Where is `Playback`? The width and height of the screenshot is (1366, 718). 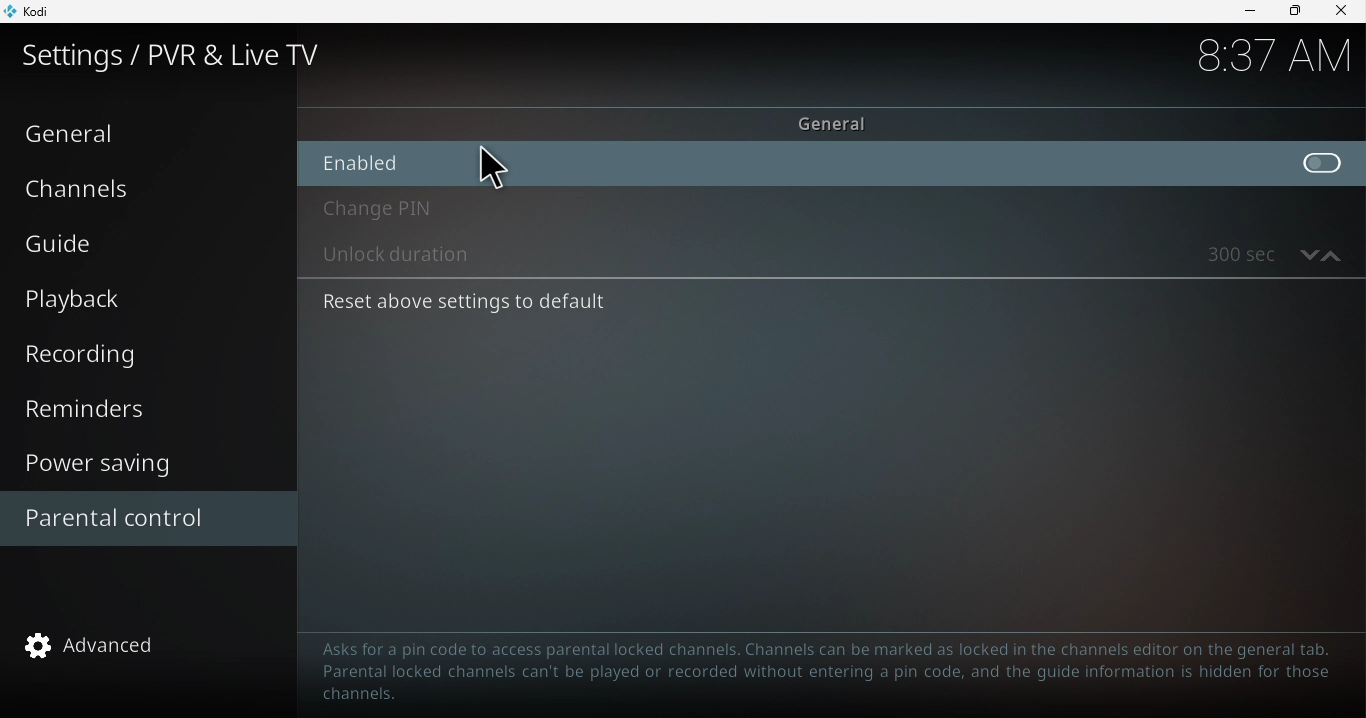
Playback is located at coordinates (138, 301).